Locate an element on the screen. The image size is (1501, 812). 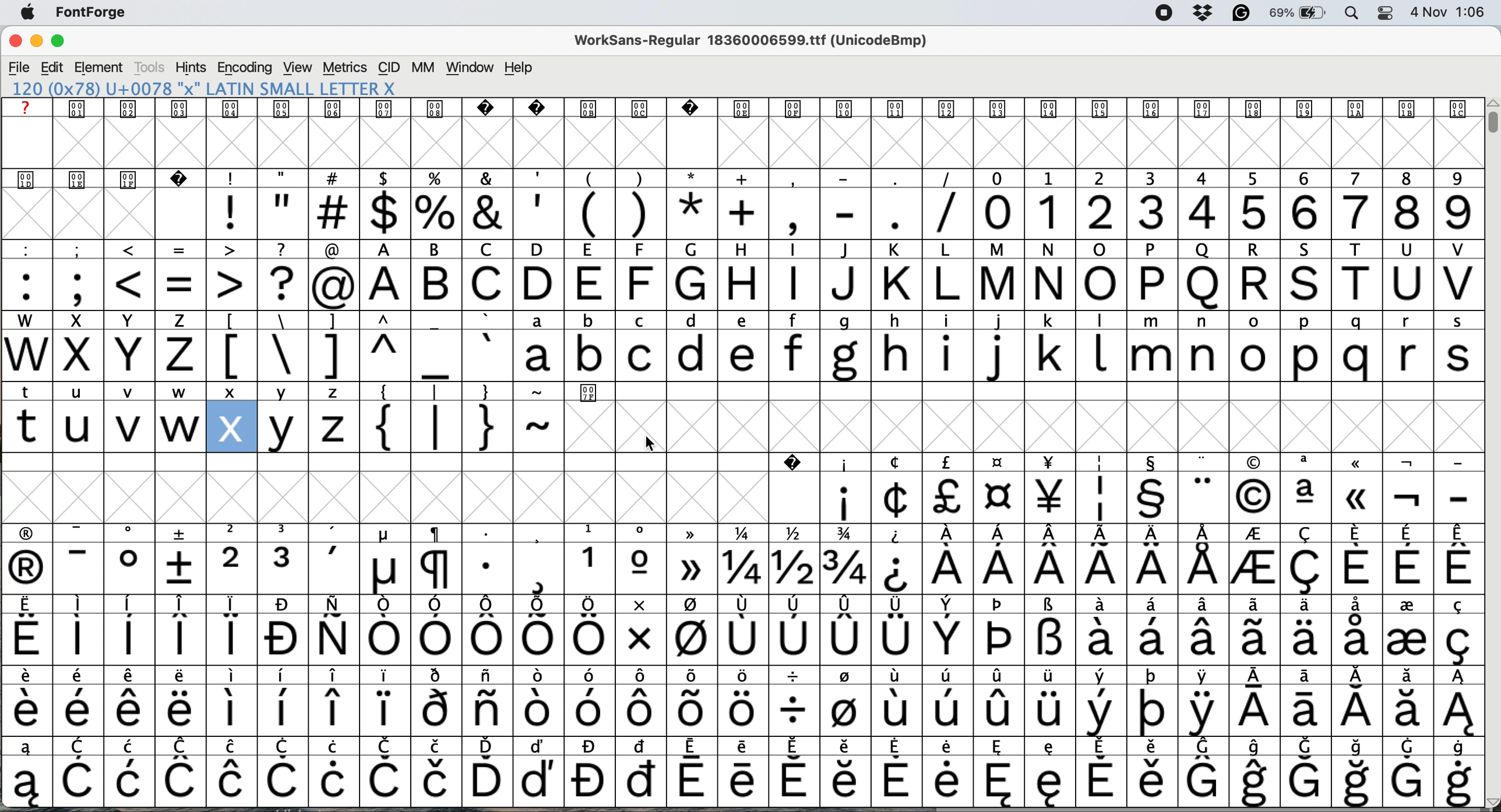
text is located at coordinates (738, 108).